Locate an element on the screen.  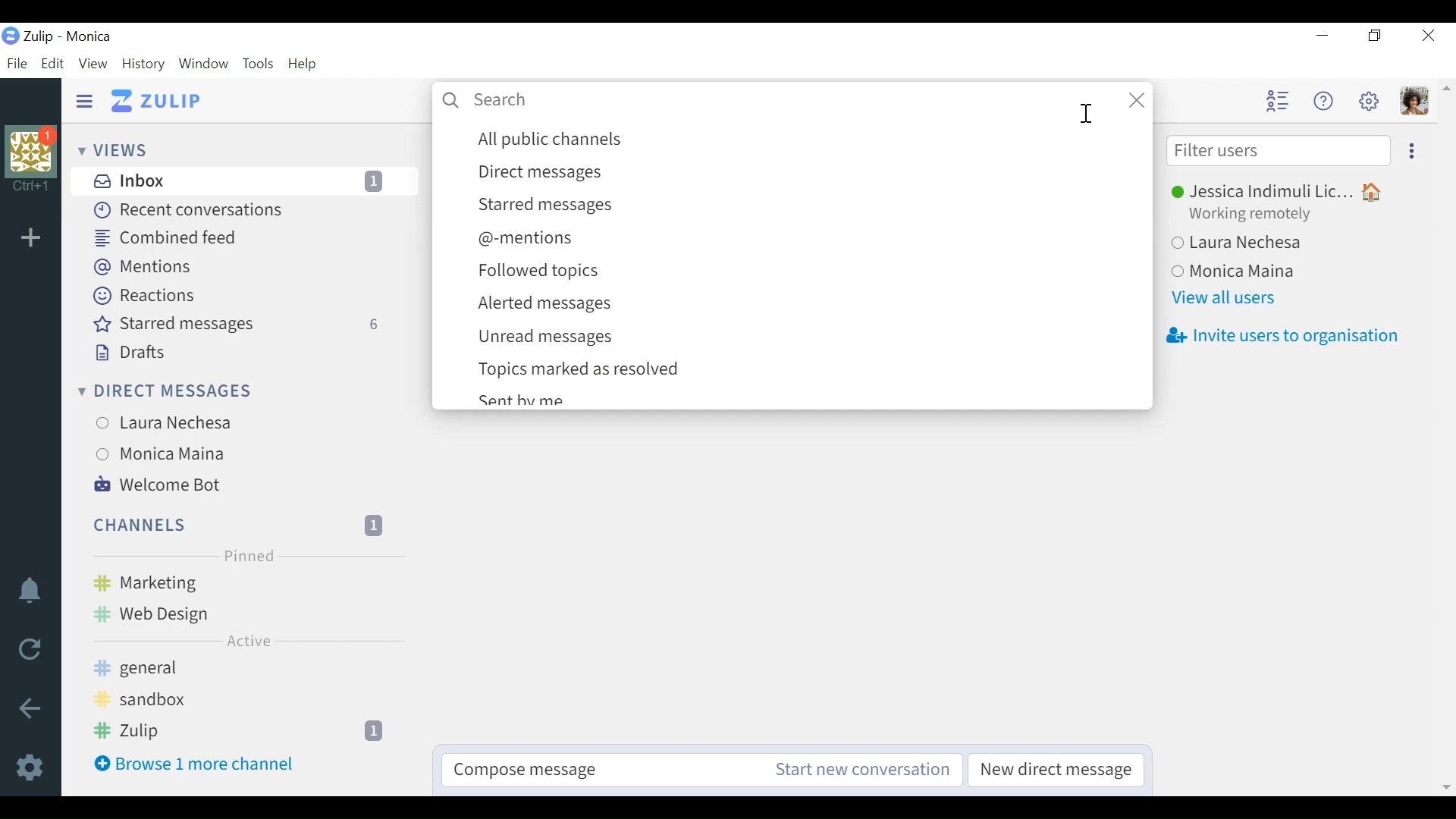
History is located at coordinates (143, 64).